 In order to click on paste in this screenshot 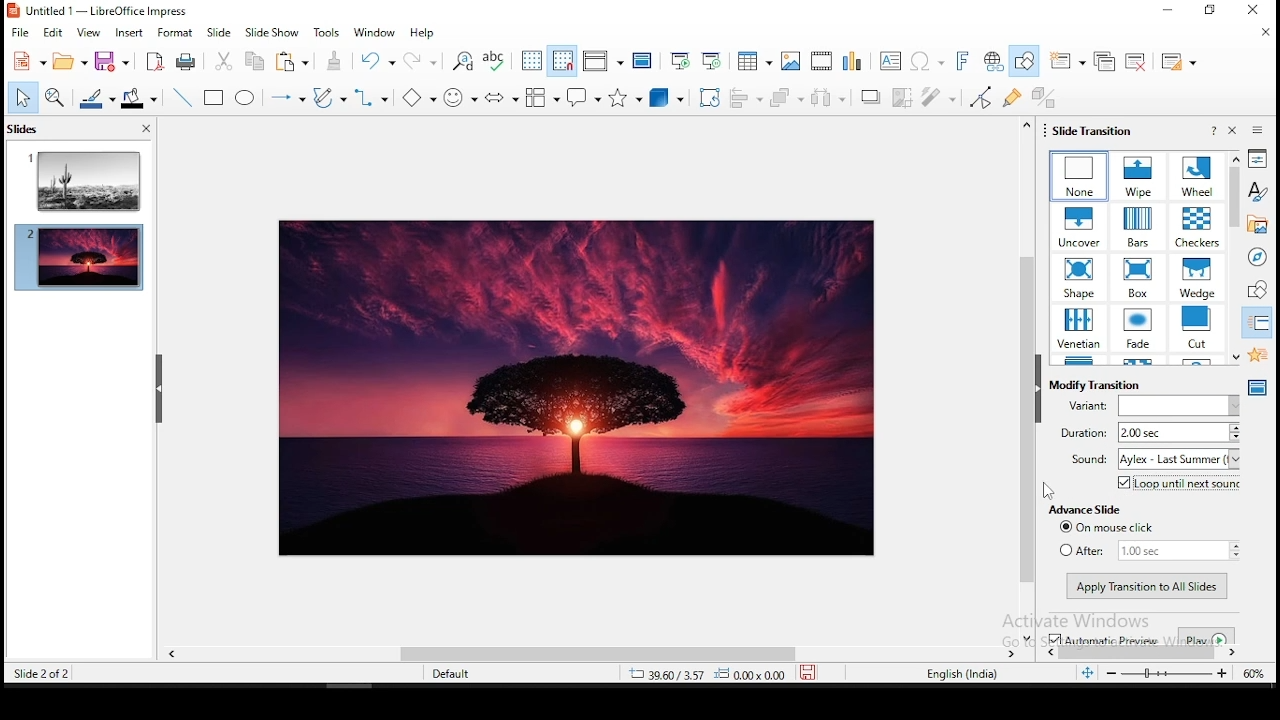, I will do `click(339, 61)`.